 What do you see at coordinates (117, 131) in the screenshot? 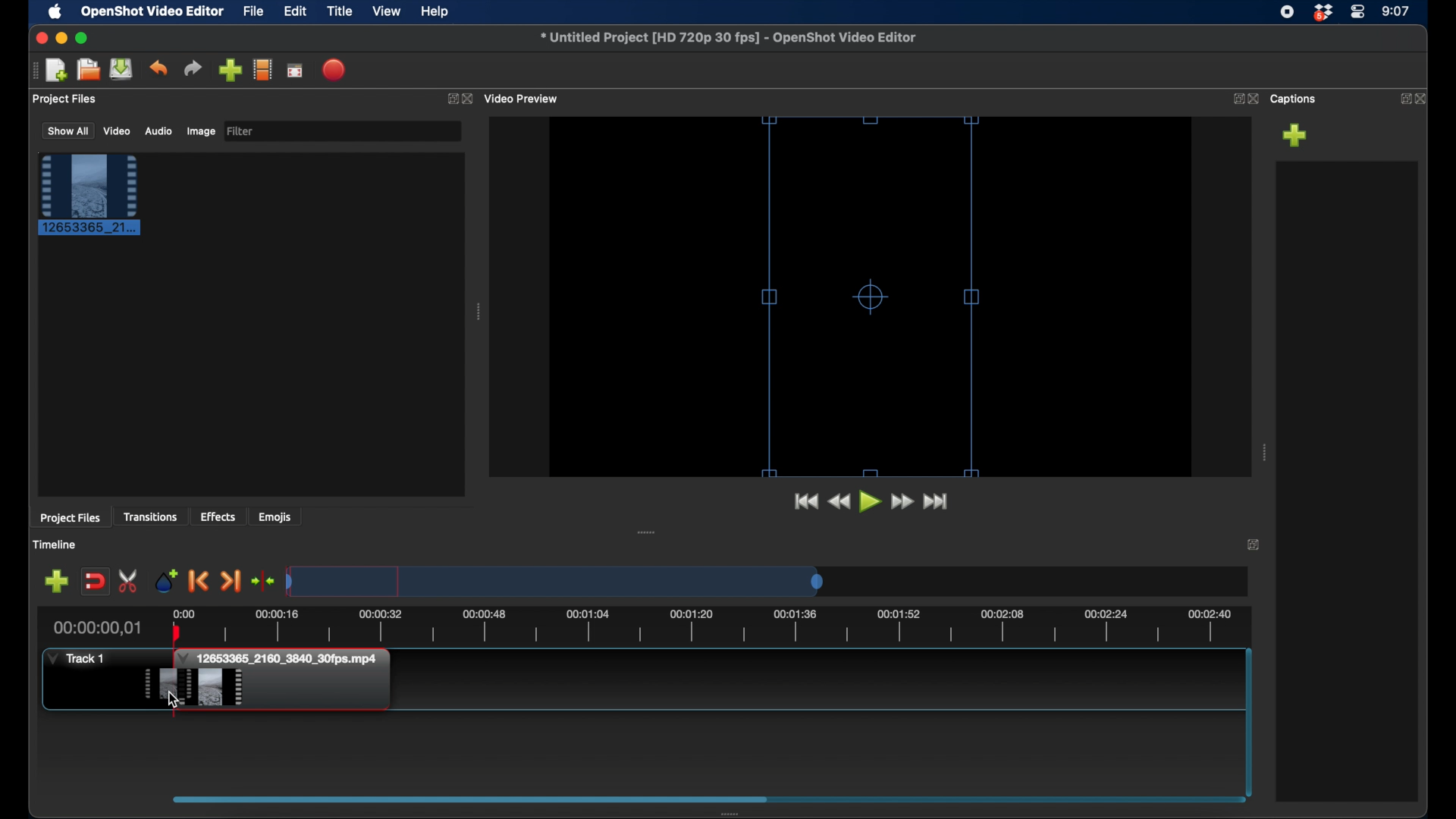
I see `video` at bounding box center [117, 131].